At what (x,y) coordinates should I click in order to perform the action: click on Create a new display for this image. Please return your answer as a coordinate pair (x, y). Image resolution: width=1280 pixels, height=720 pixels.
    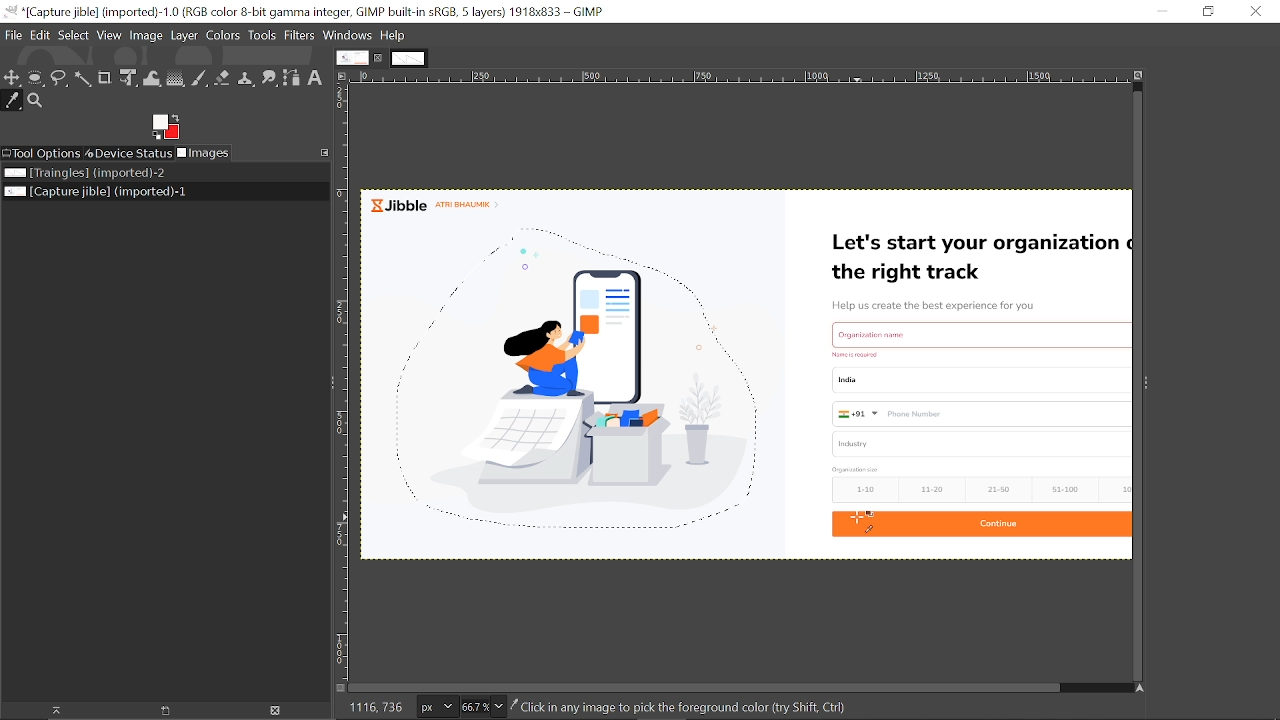
    Looking at the image, I should click on (160, 711).